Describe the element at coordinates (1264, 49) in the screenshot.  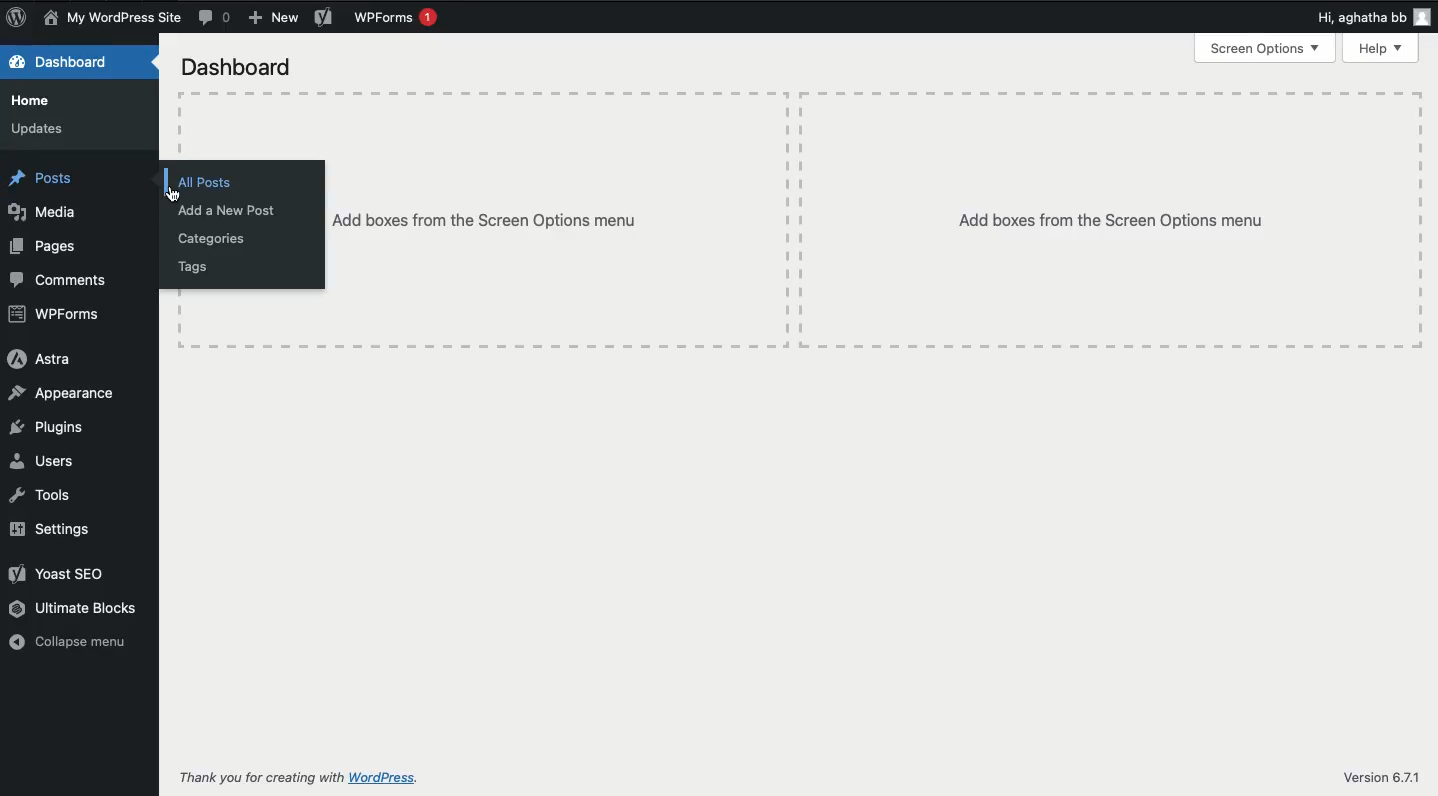
I see `Screen options` at that location.